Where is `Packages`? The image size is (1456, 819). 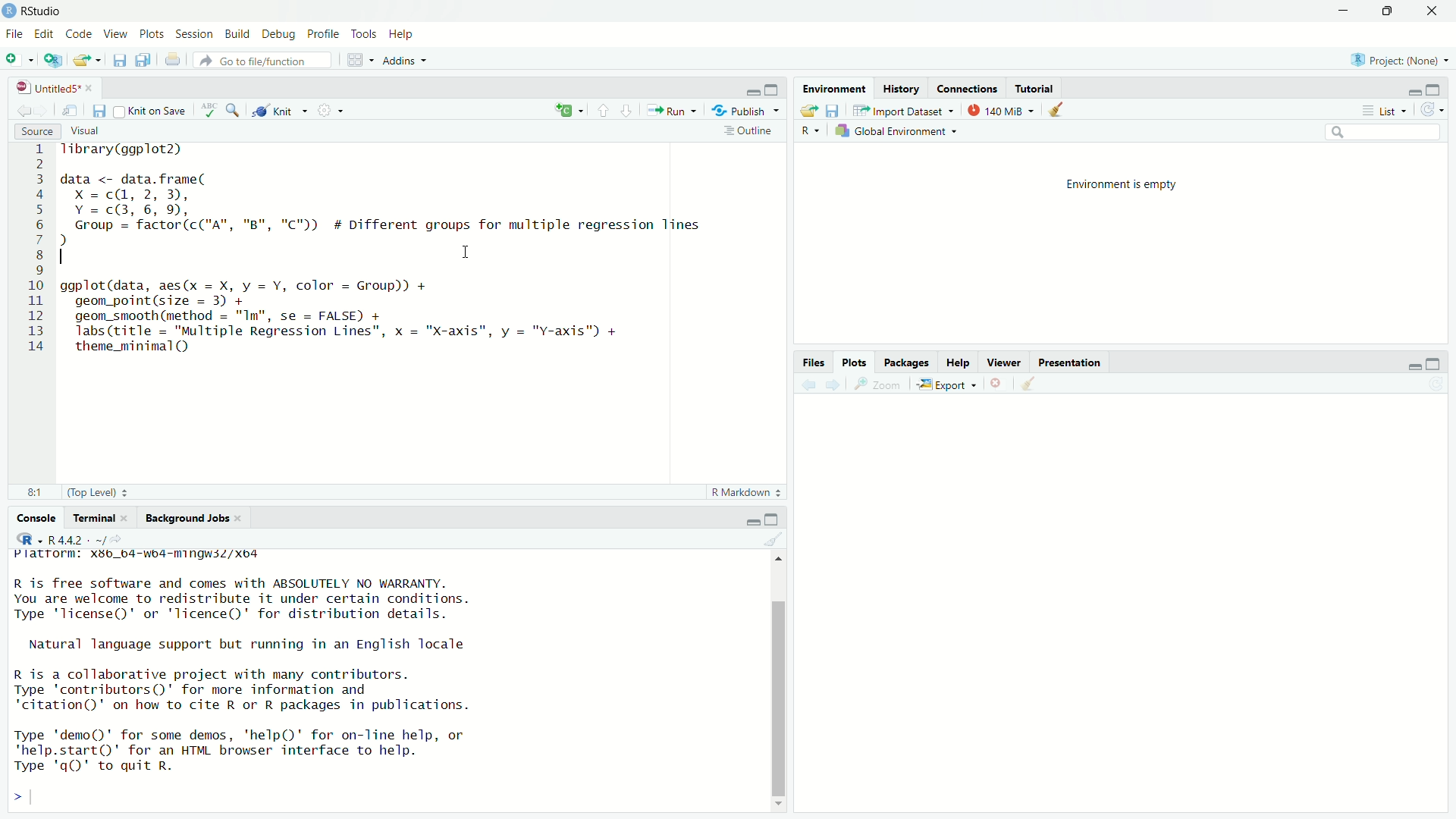 Packages is located at coordinates (908, 362).